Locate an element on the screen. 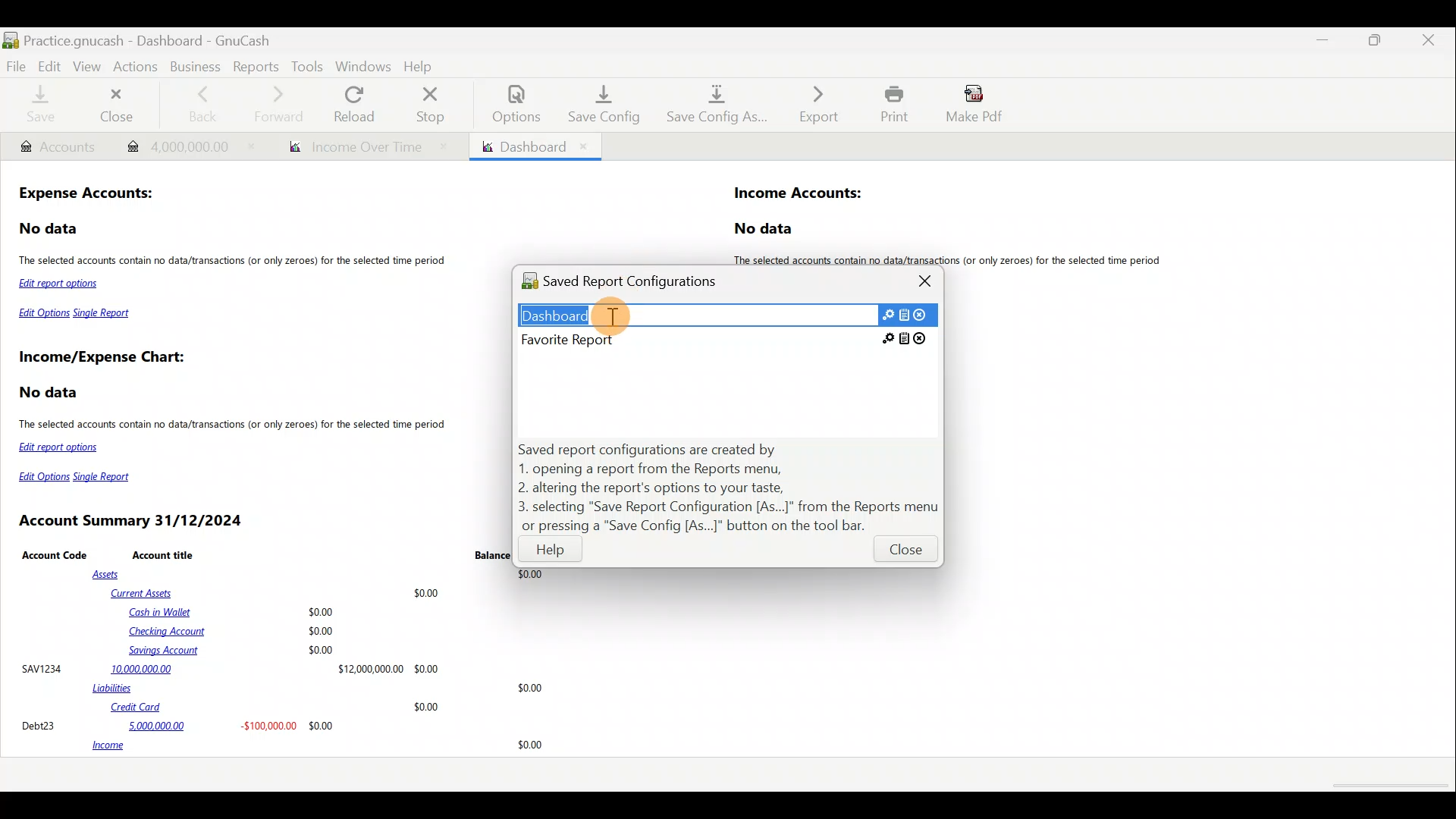 The height and width of the screenshot is (819, 1456). Saved report configurations is located at coordinates (635, 284).